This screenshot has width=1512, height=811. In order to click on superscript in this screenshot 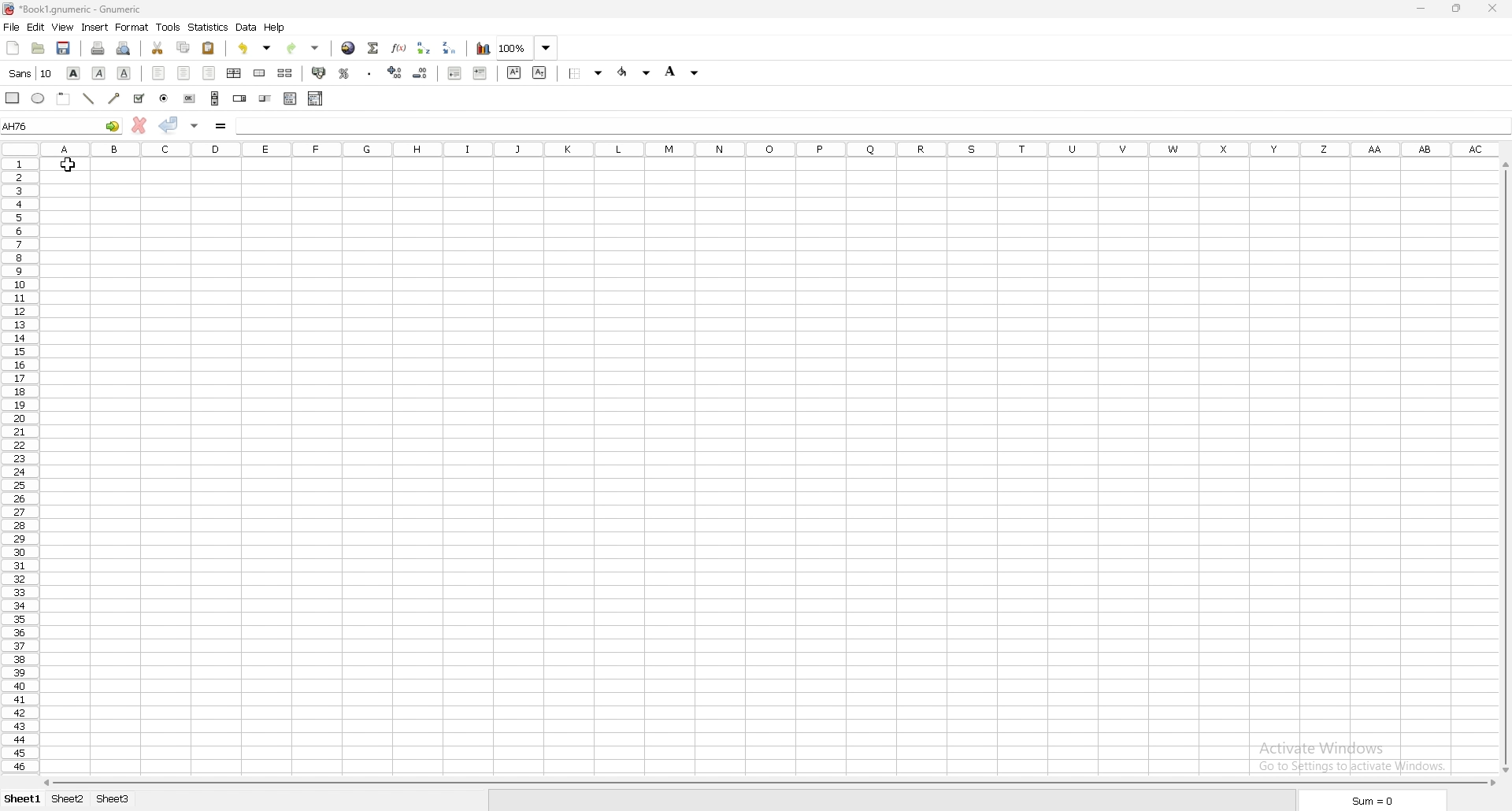, I will do `click(513, 72)`.